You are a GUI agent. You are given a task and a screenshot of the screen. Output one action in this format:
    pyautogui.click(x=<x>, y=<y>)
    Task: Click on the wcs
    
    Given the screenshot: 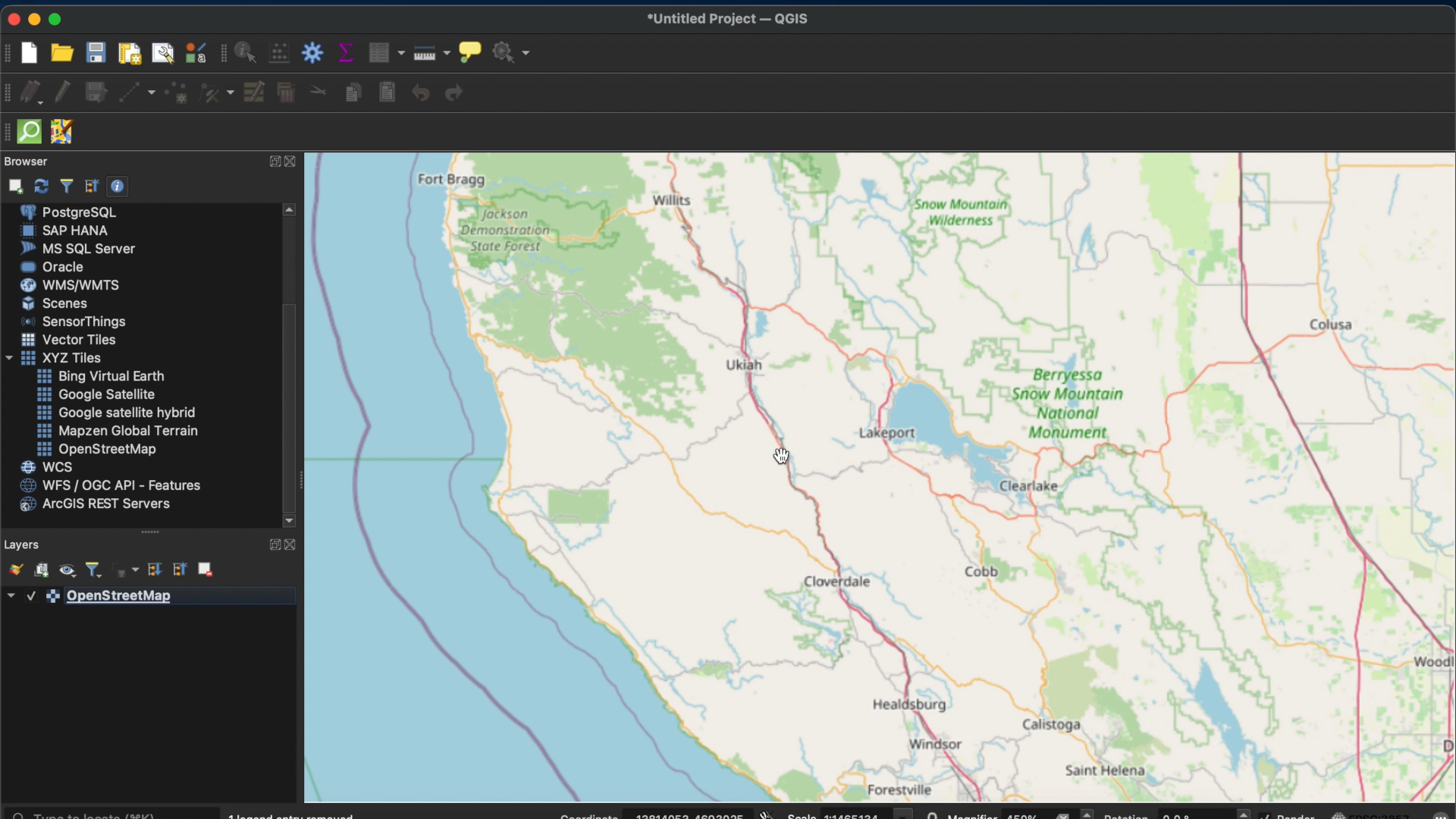 What is the action you would take?
    pyautogui.click(x=46, y=466)
    